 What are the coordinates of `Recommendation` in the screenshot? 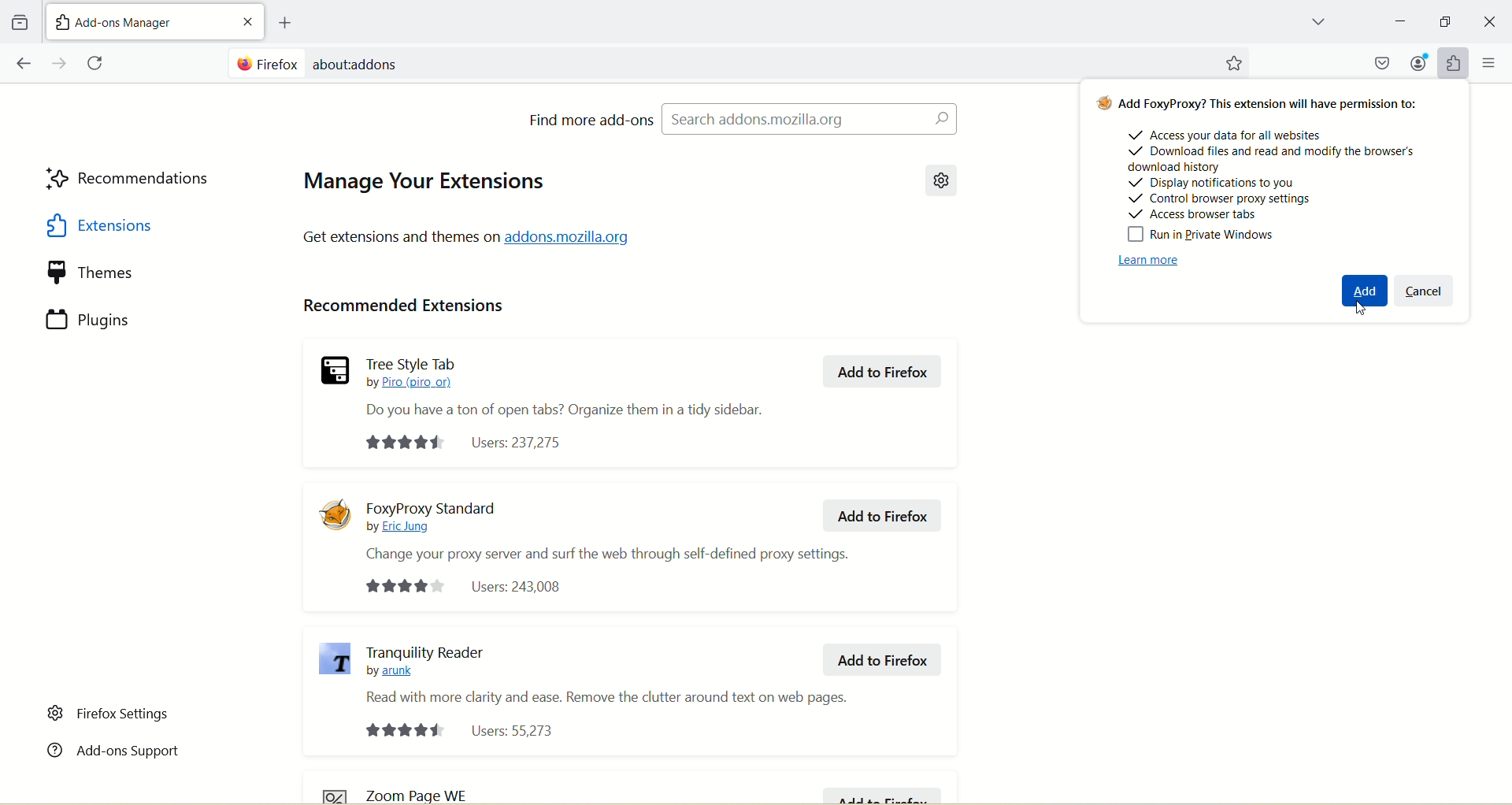 It's located at (130, 180).